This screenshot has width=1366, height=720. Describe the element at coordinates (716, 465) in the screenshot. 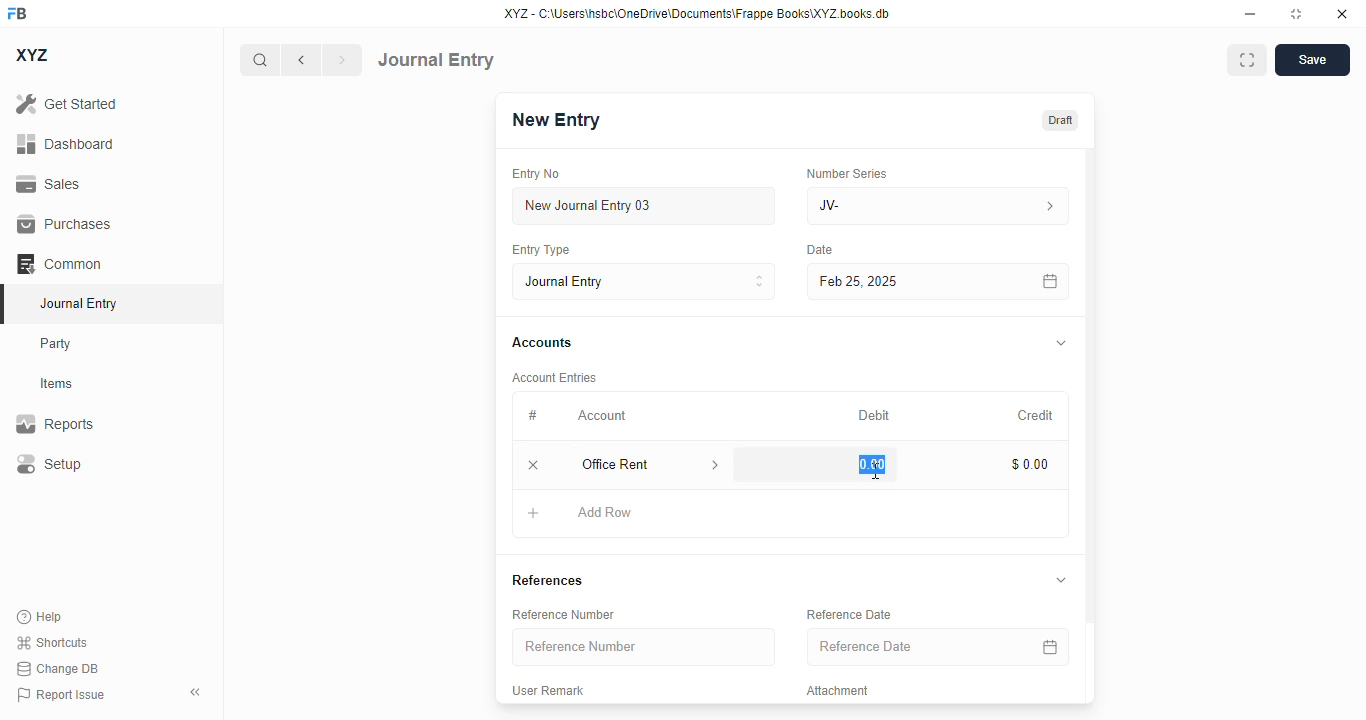

I see `account information` at that location.